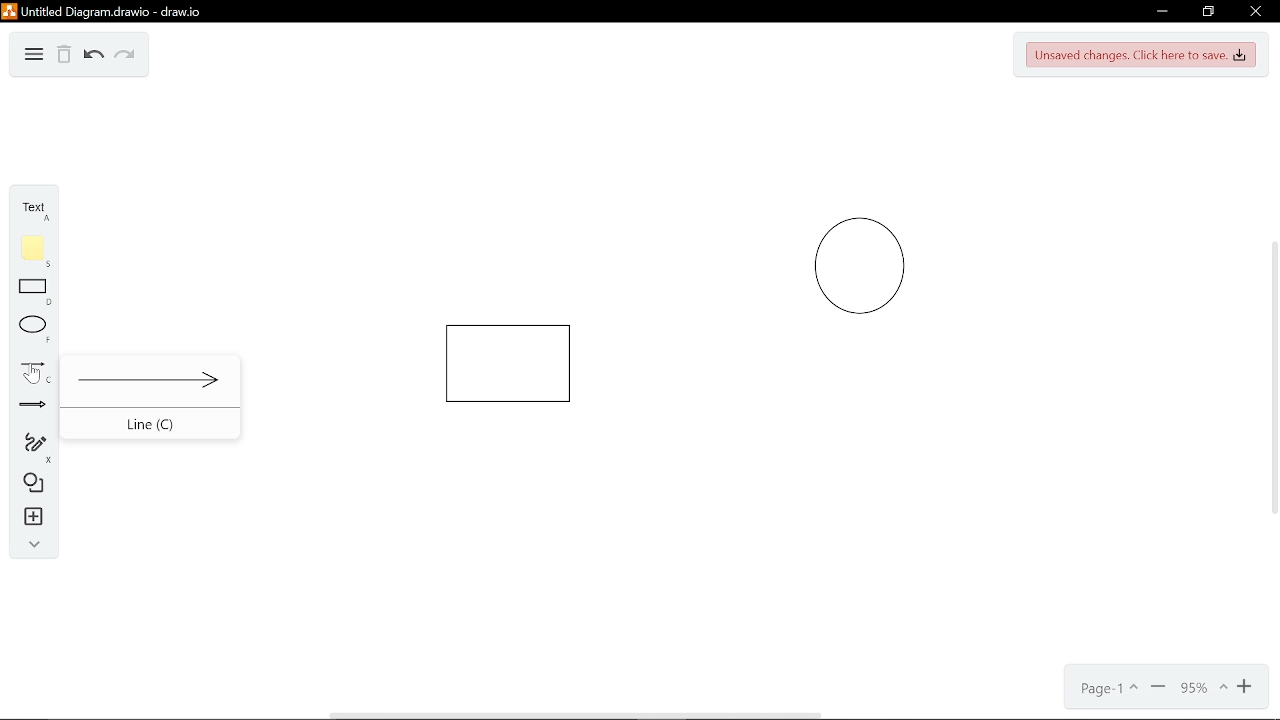  I want to click on Line, so click(30, 367).